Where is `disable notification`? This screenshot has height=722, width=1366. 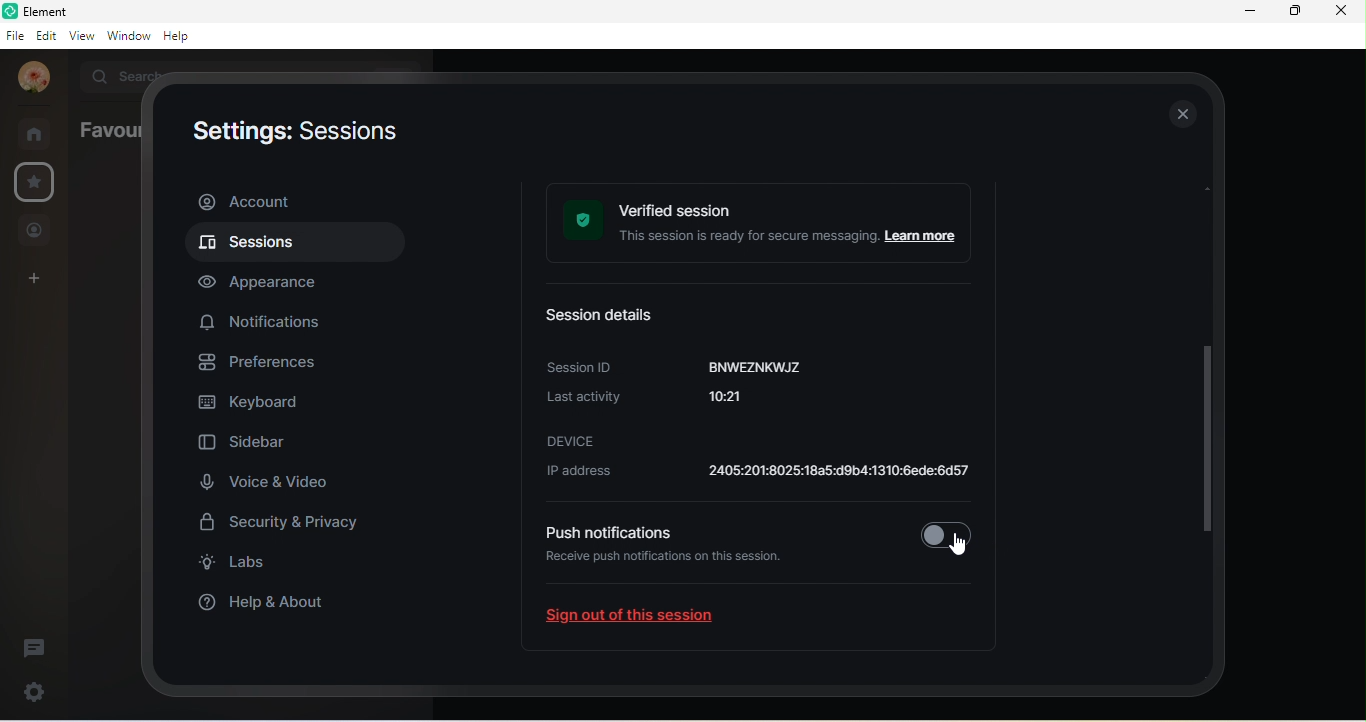
disable notification is located at coordinates (946, 531).